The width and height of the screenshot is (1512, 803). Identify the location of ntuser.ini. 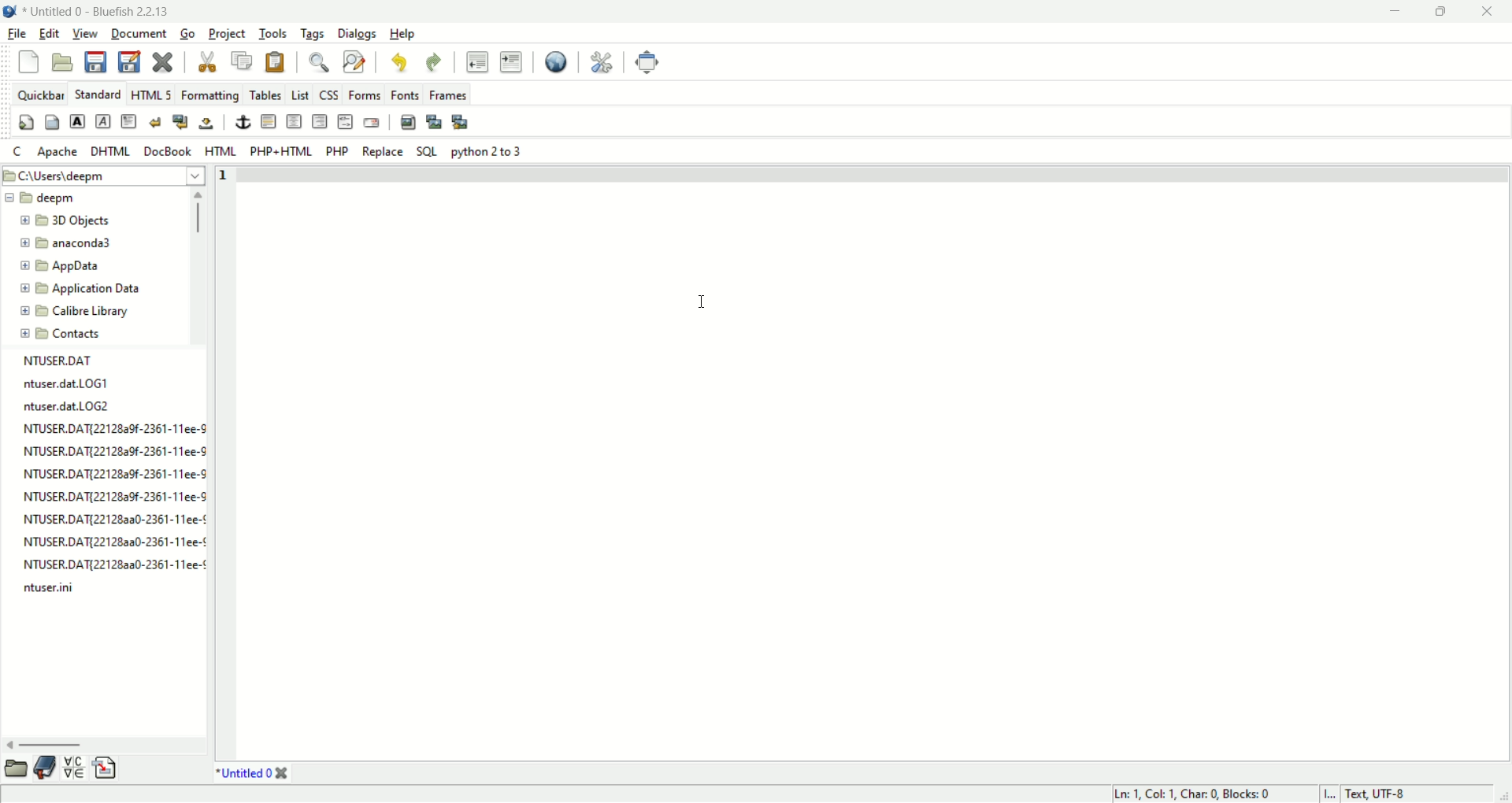
(52, 589).